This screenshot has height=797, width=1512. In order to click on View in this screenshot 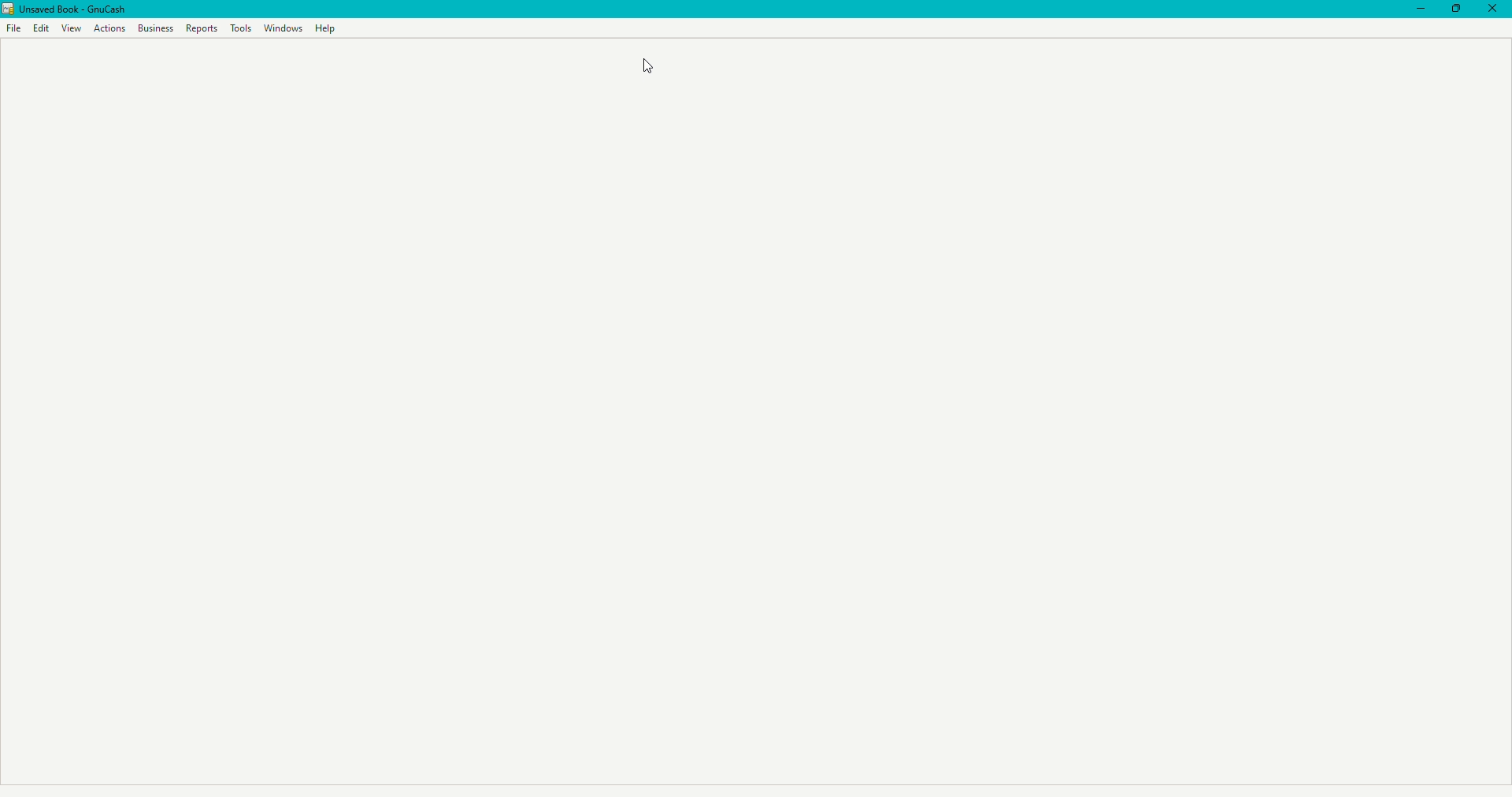, I will do `click(71, 28)`.